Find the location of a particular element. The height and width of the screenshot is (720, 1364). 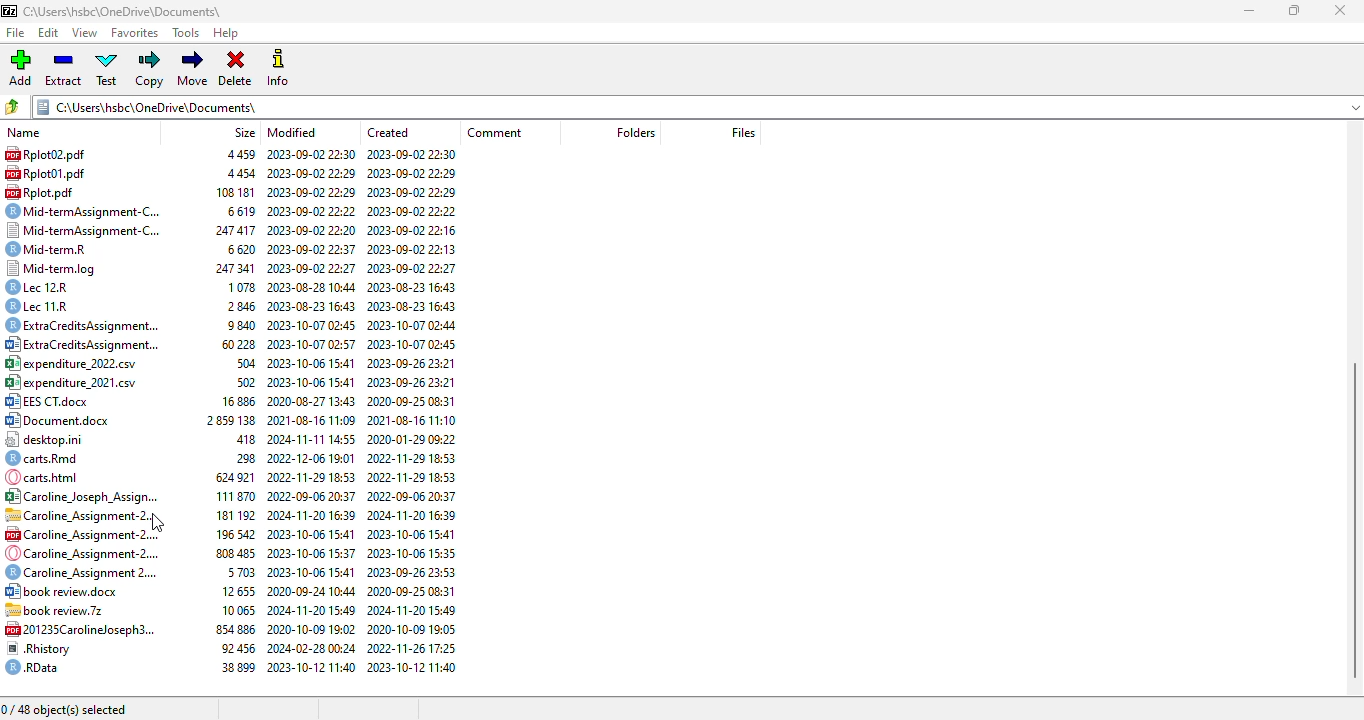

folders is located at coordinates (635, 133).